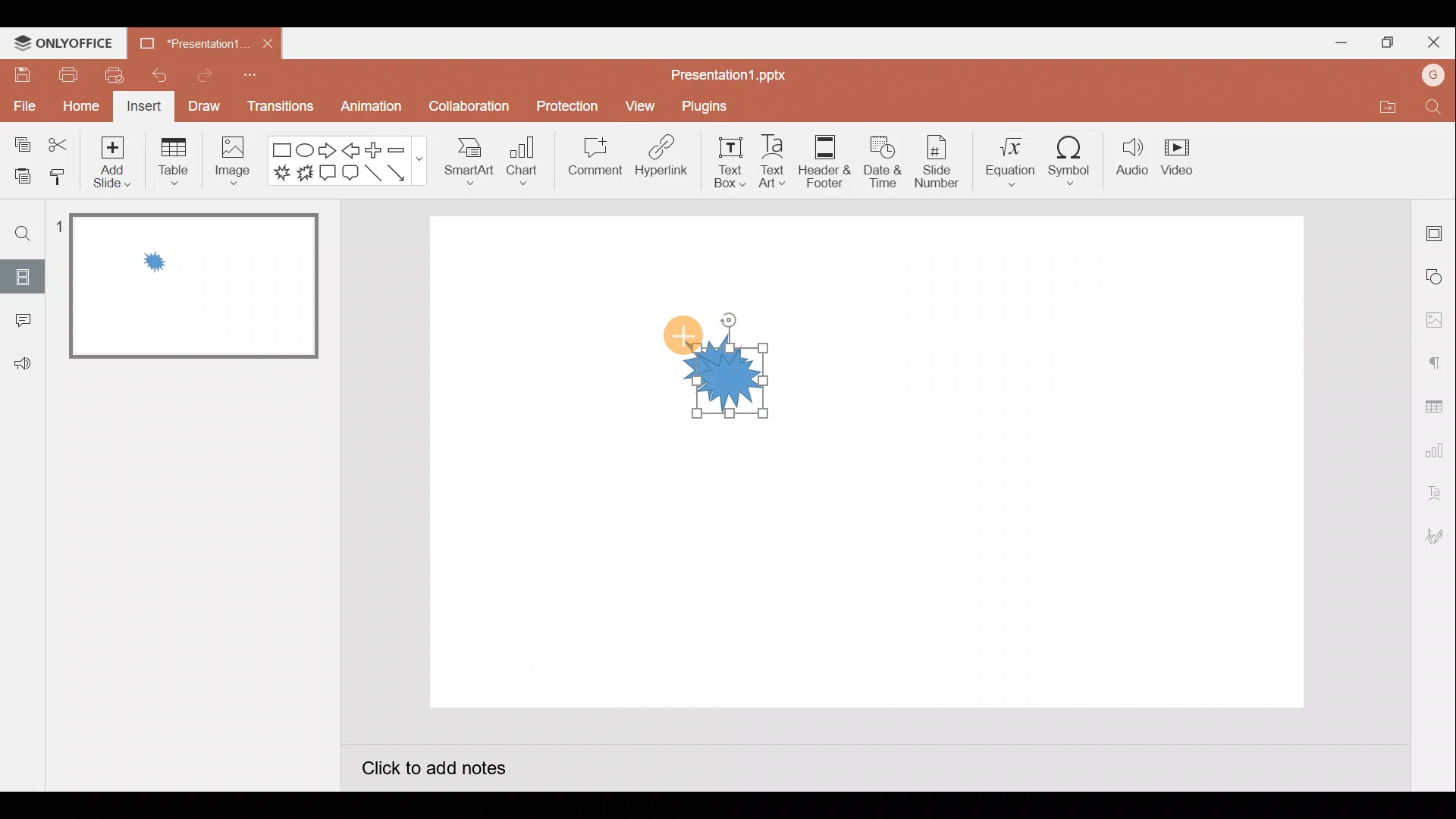 The height and width of the screenshot is (819, 1456). I want to click on Comment, so click(22, 321).